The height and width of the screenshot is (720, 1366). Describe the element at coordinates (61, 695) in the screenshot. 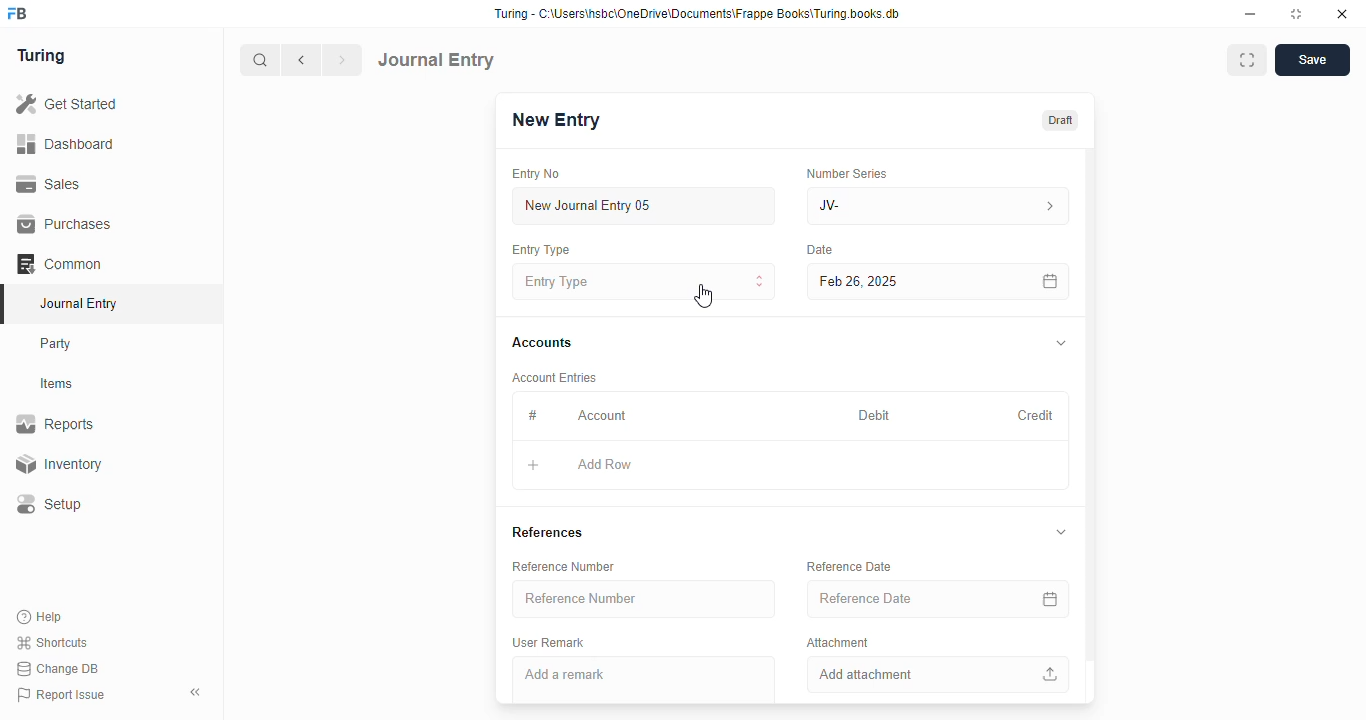

I see `report issue` at that location.